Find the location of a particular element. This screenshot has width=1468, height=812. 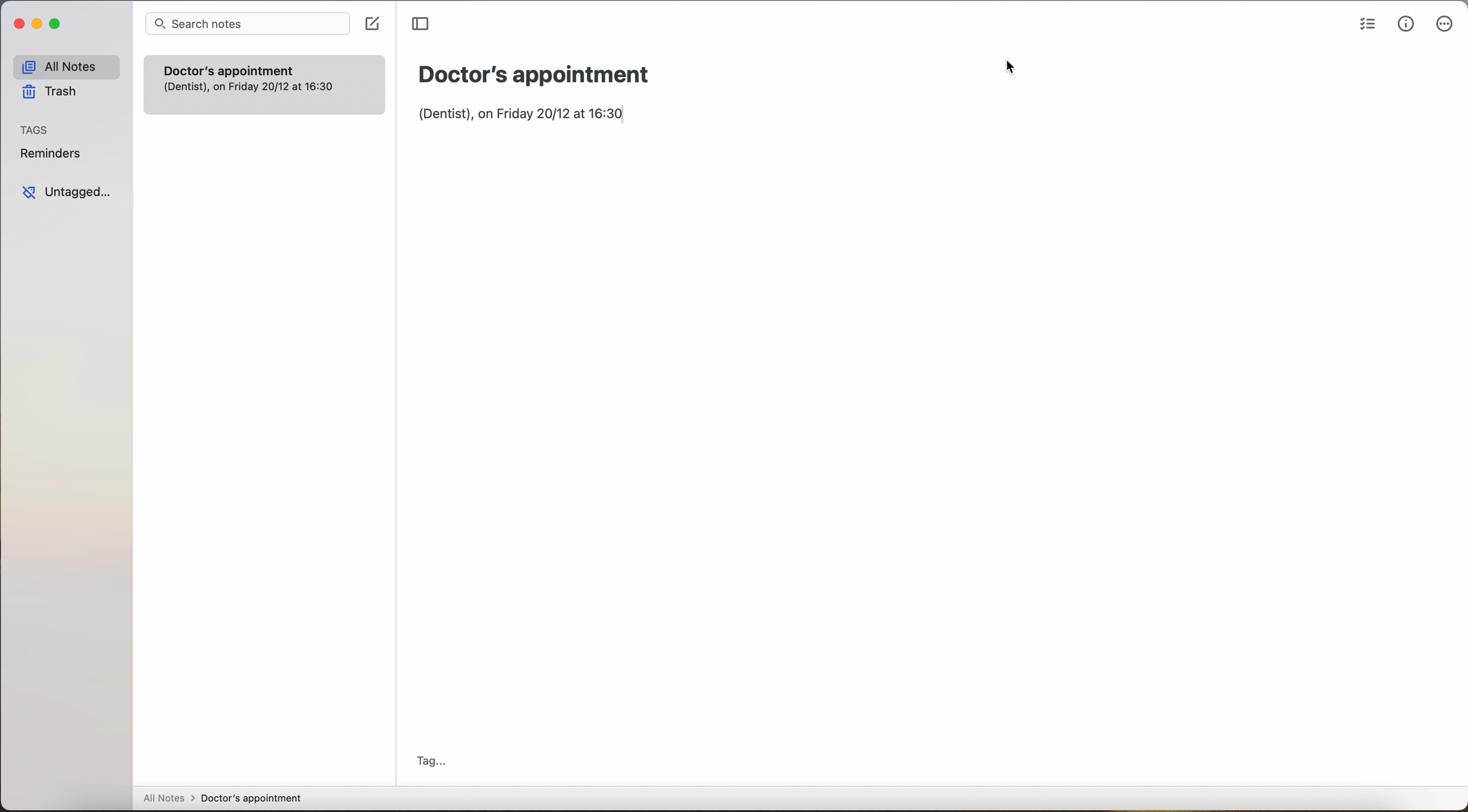

check list is located at coordinates (1364, 26).